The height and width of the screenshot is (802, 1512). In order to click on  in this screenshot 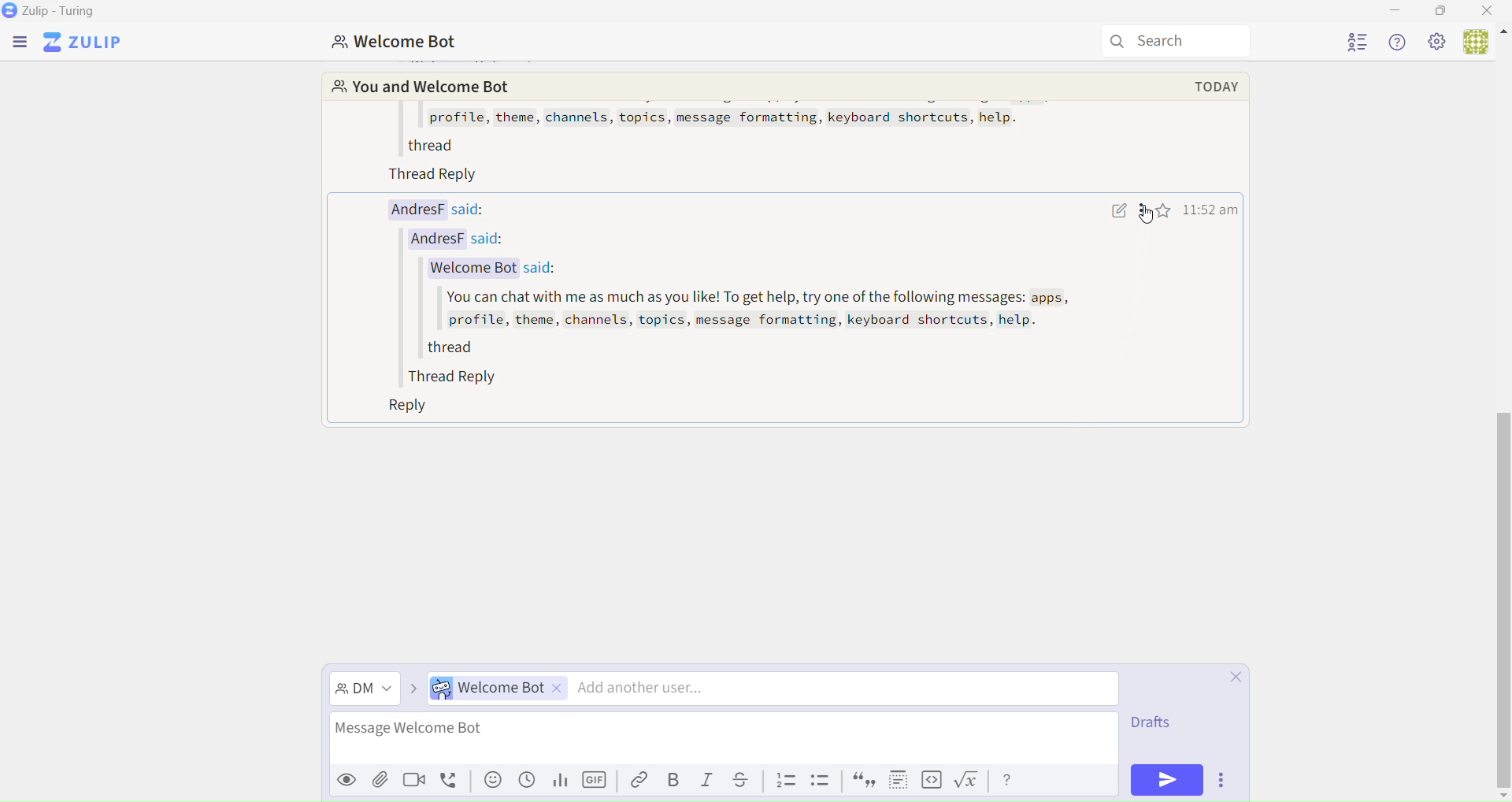, I will do `click(1395, 13)`.